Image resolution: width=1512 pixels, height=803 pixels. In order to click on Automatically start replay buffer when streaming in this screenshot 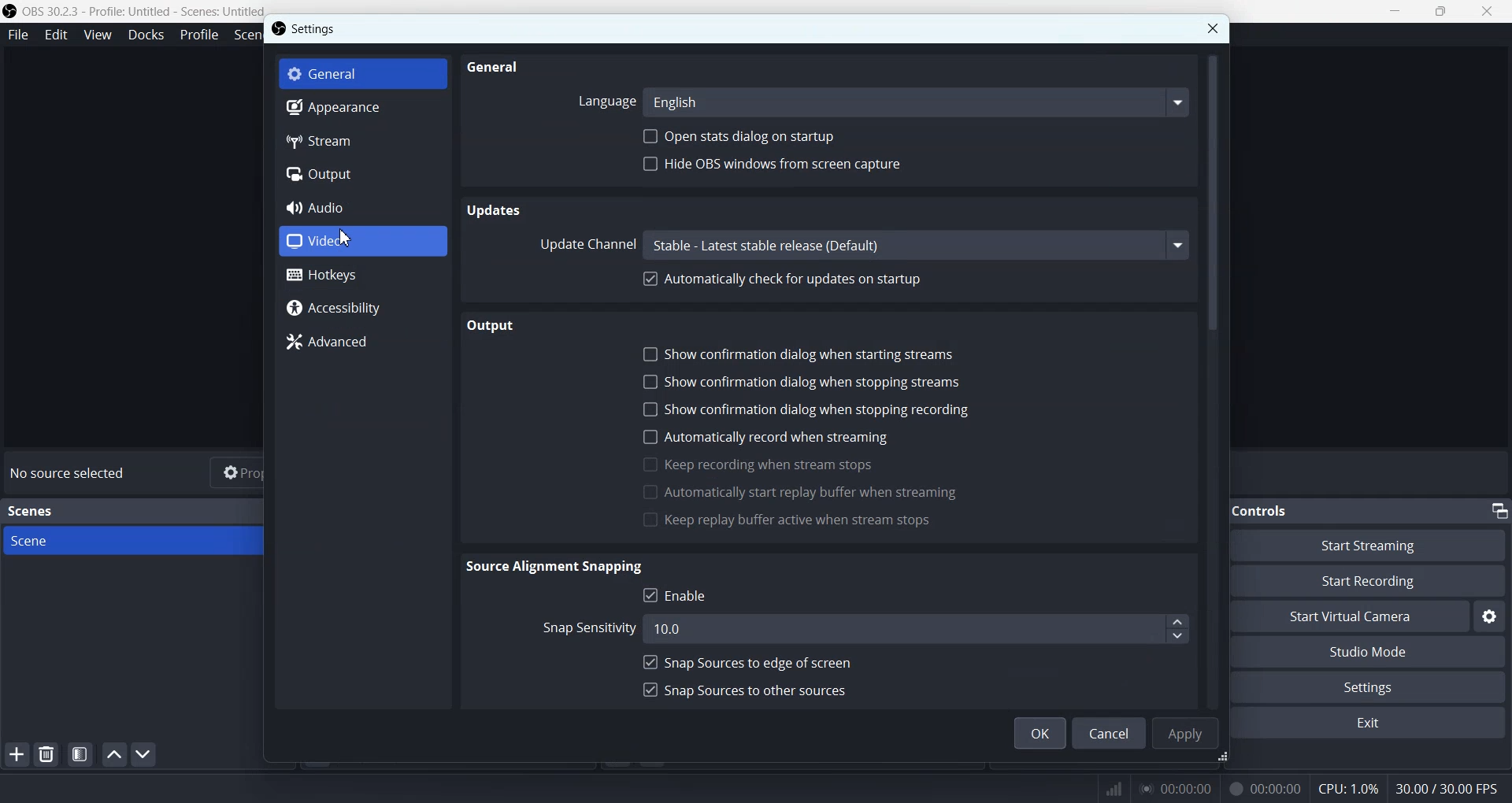, I will do `click(816, 493)`.